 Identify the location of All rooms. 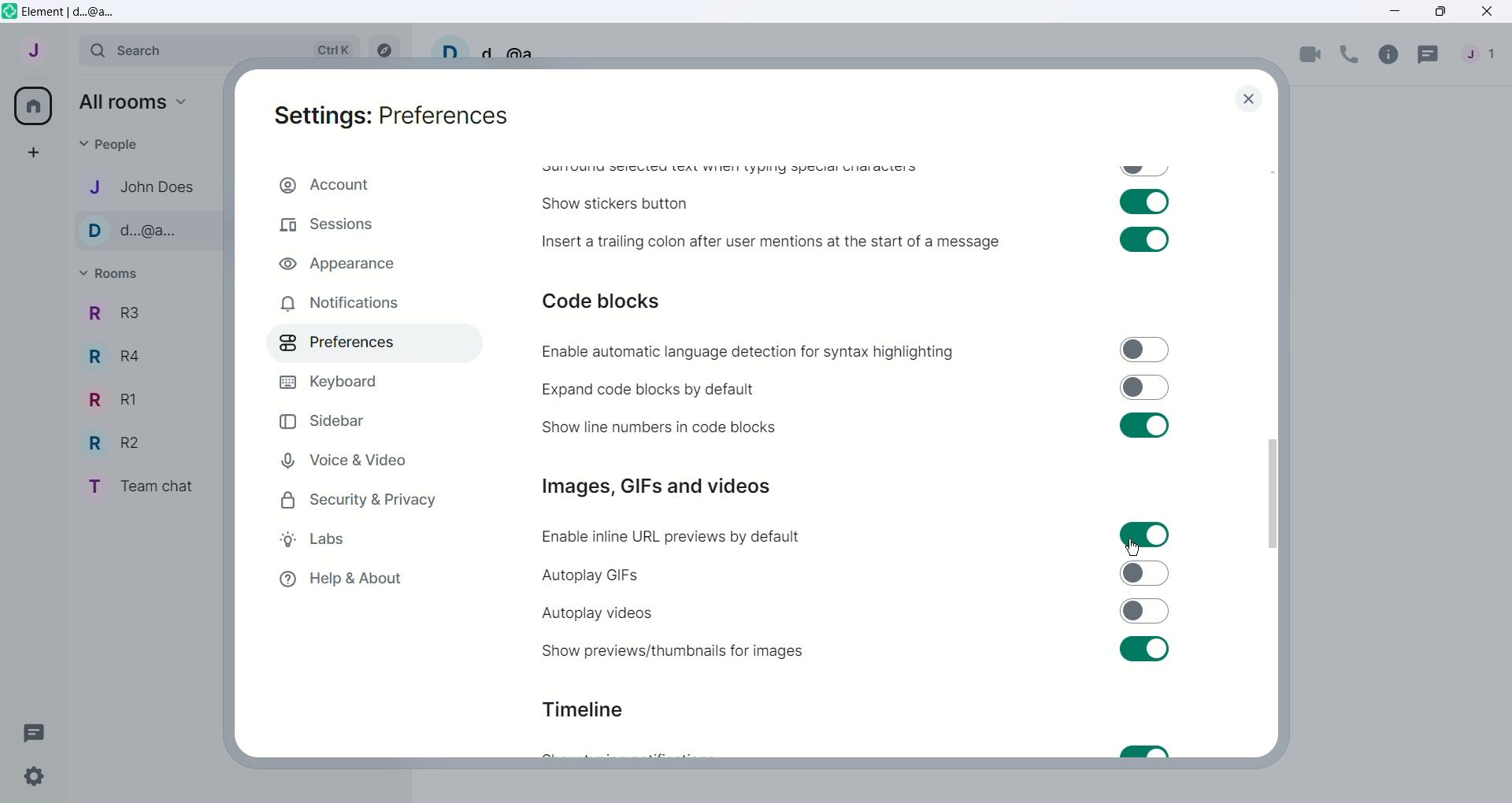
(31, 106).